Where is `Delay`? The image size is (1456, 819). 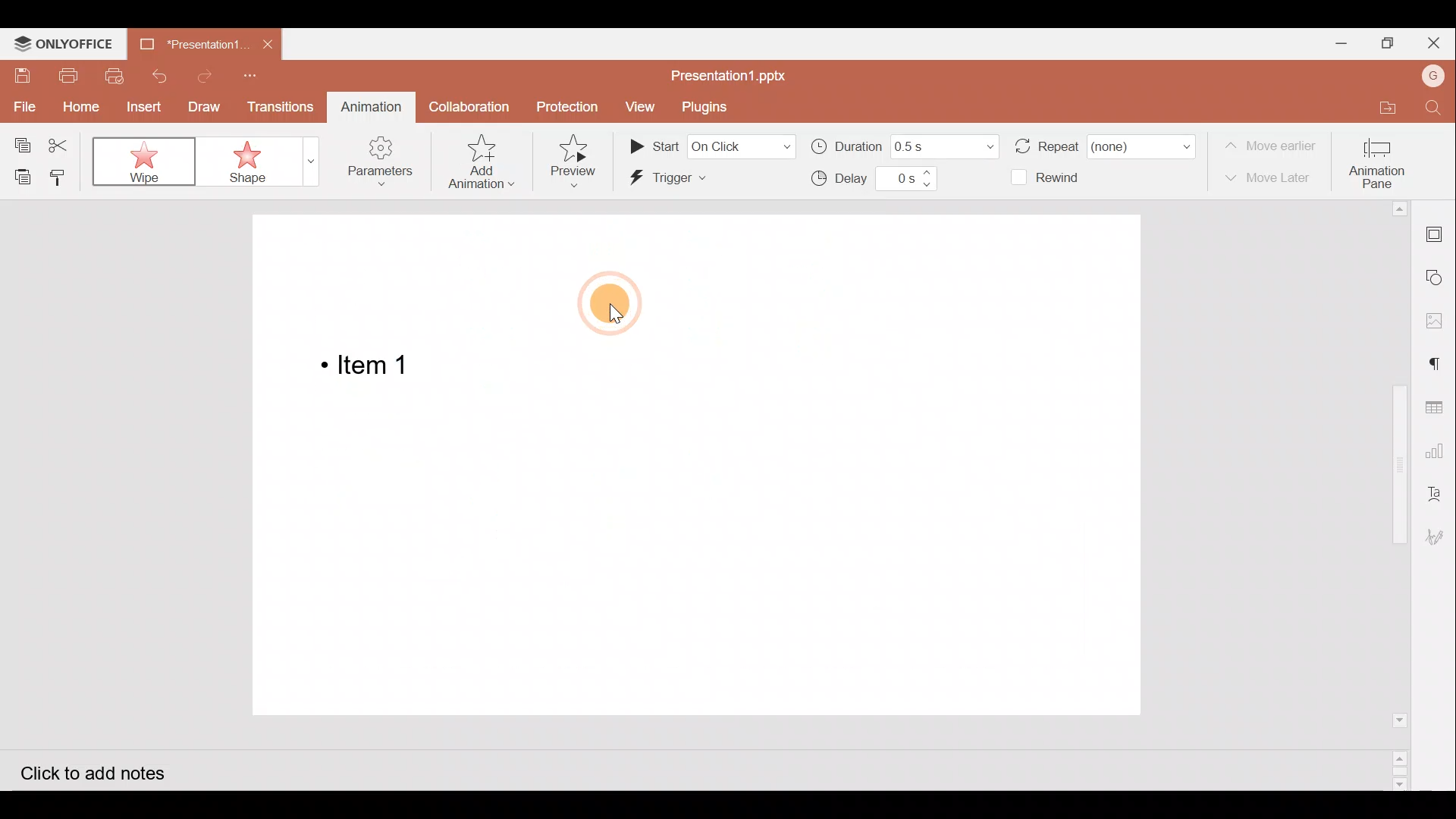
Delay is located at coordinates (874, 181).